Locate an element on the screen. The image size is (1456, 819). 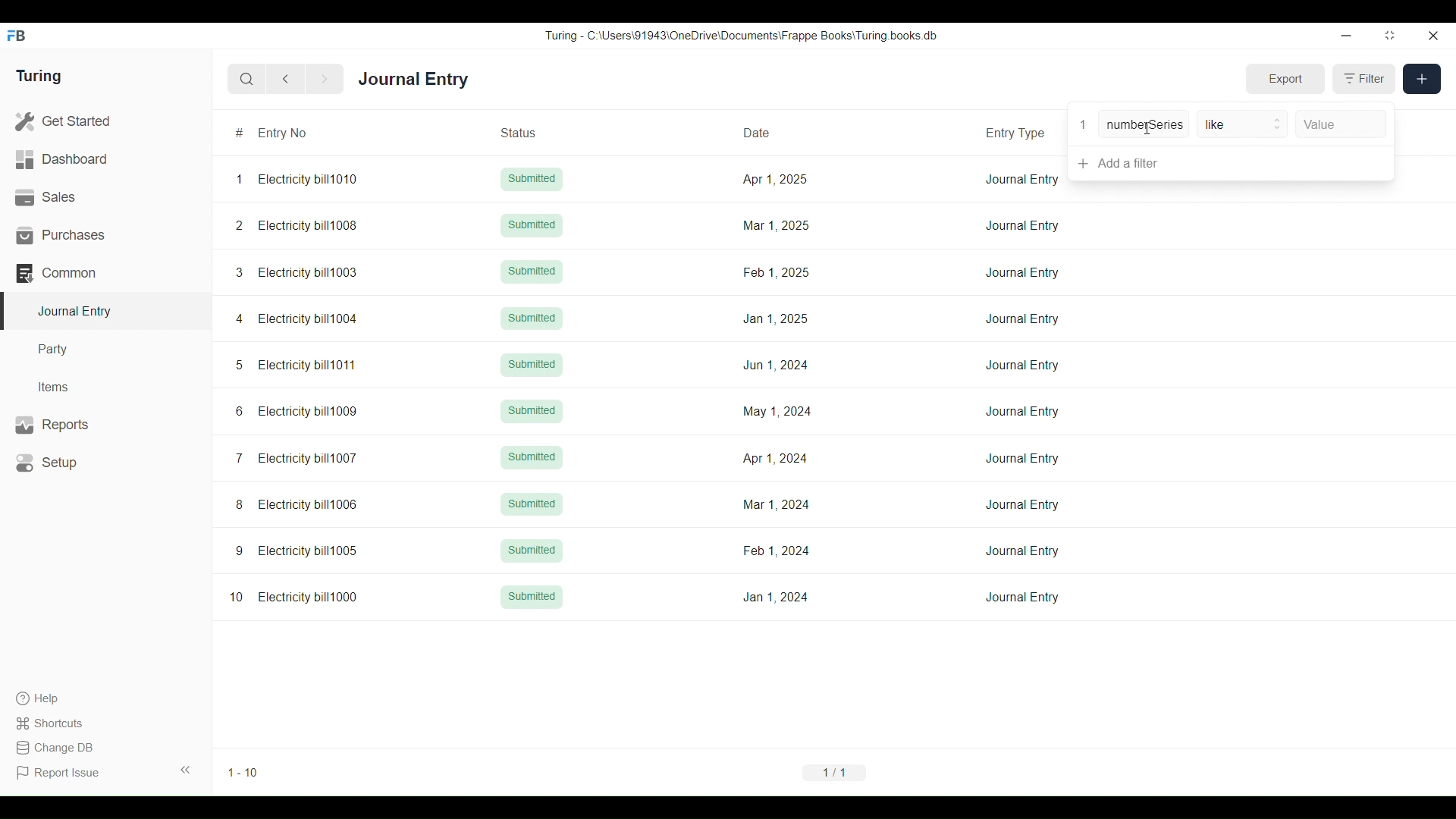
# Entry No is located at coordinates (303, 133).